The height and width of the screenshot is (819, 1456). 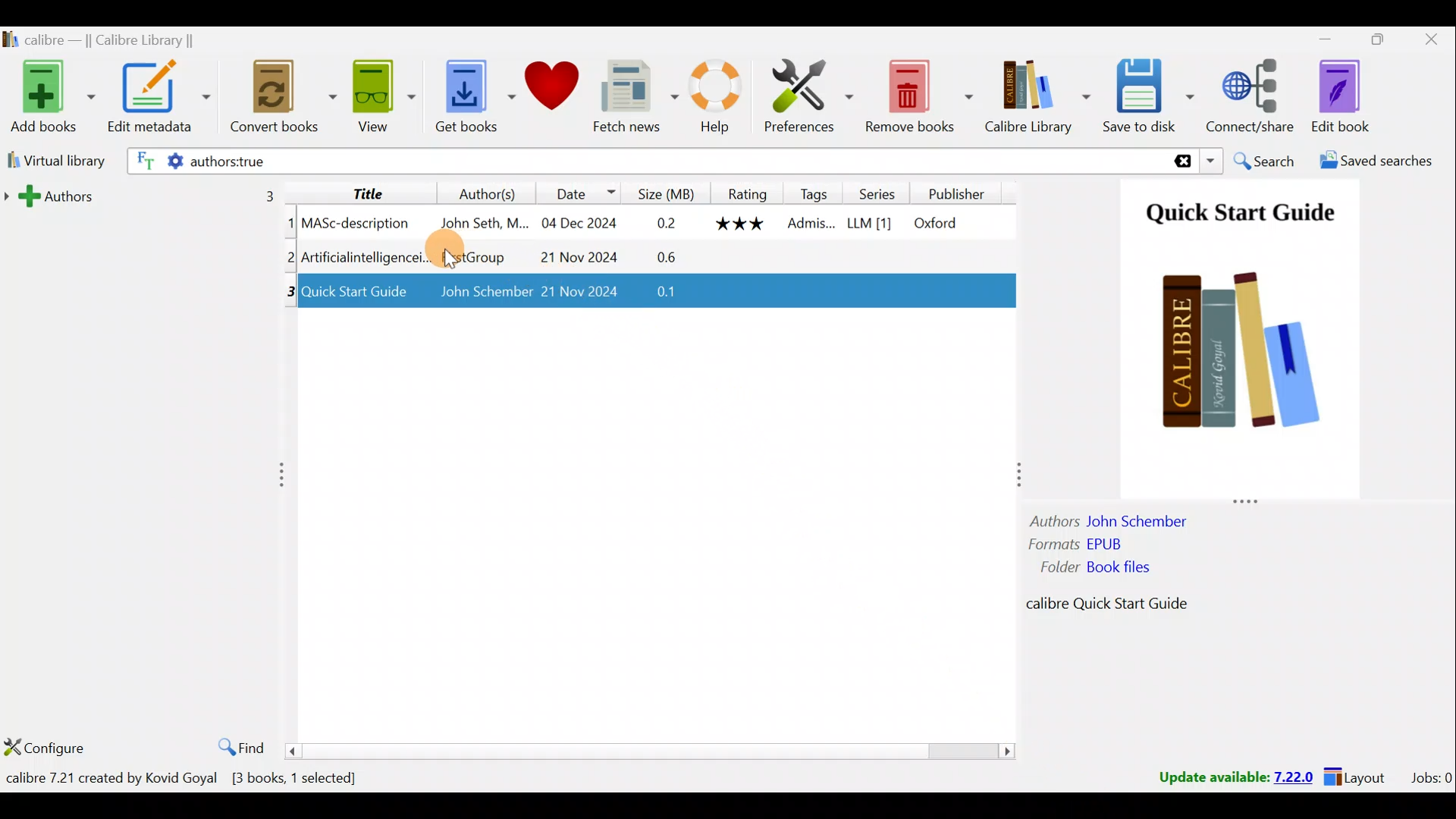 I want to click on cursor, so click(x=452, y=260).